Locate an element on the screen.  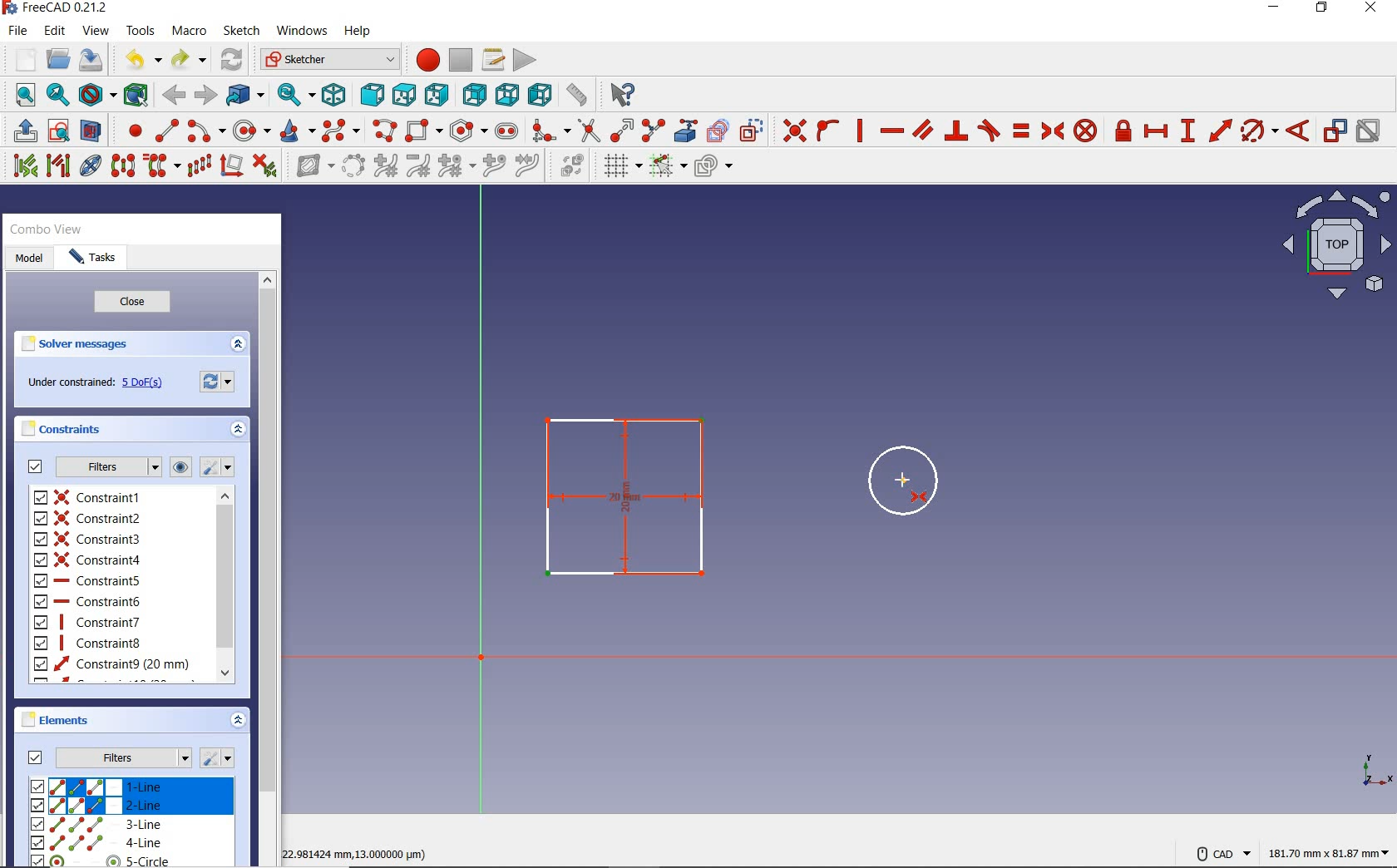
constraint5 is located at coordinates (87, 580).